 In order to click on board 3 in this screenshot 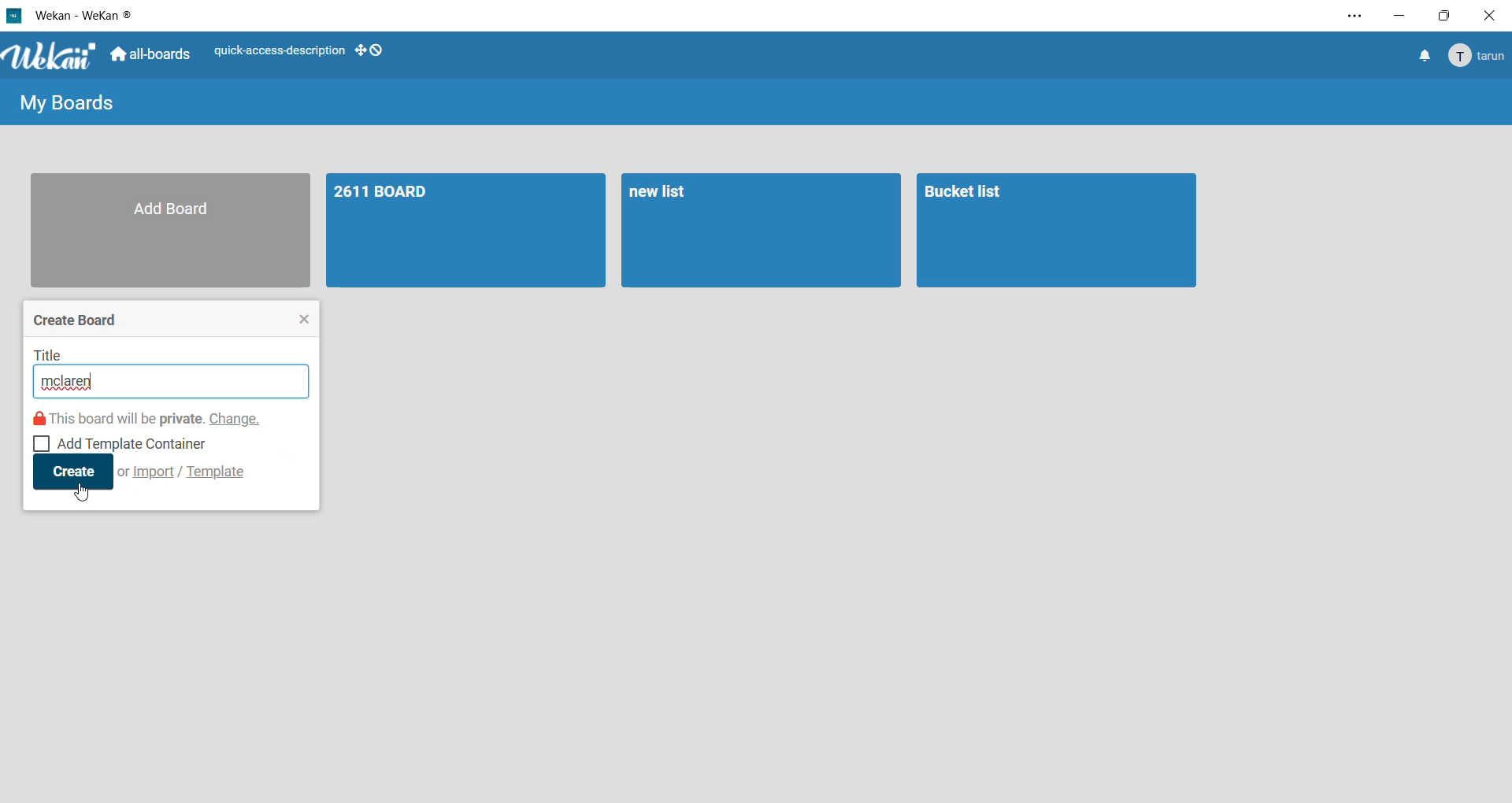, I will do `click(1058, 231)`.